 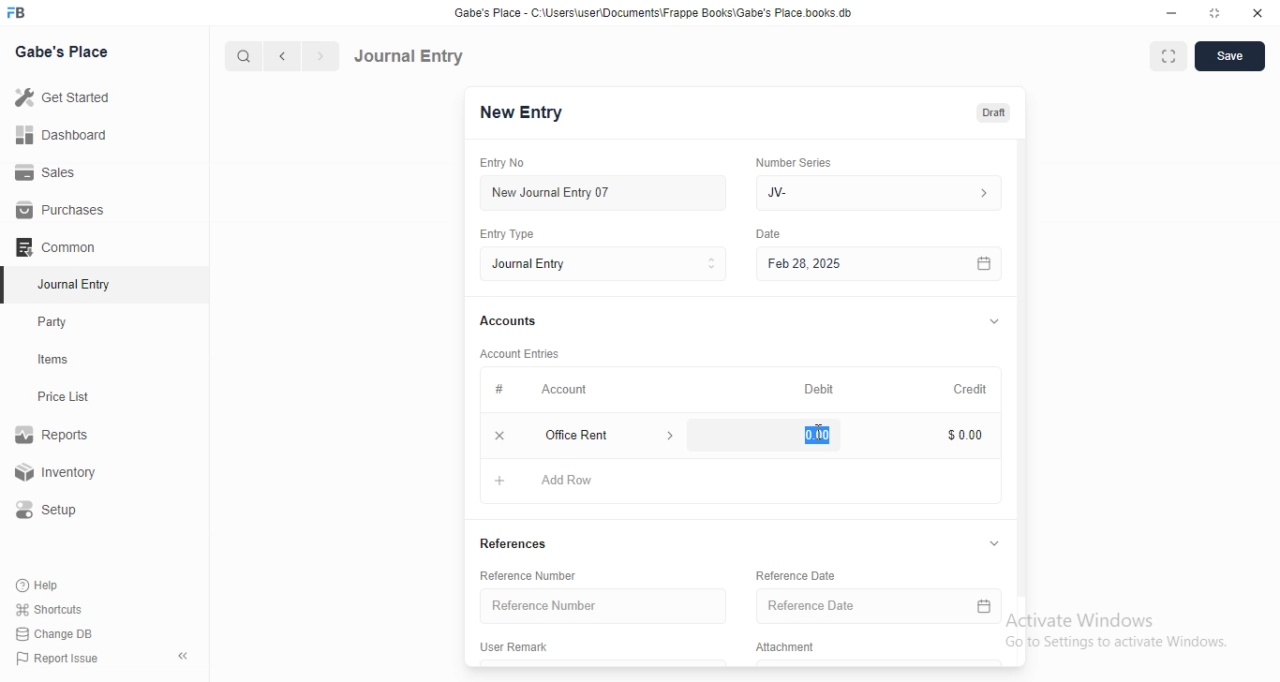 What do you see at coordinates (57, 322) in the screenshot?
I see `Party` at bounding box center [57, 322].